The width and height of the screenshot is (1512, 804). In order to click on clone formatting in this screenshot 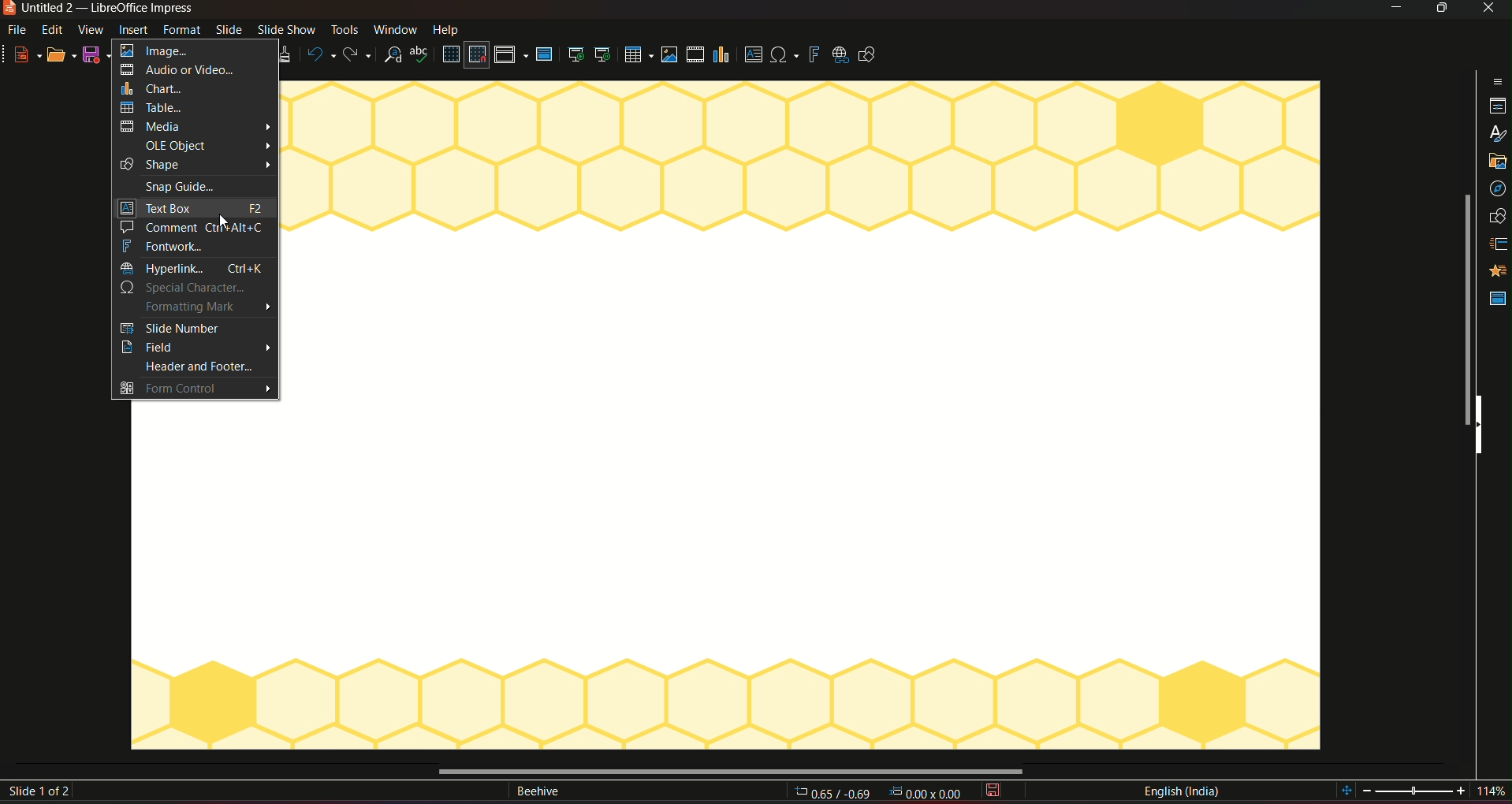, I will do `click(288, 55)`.